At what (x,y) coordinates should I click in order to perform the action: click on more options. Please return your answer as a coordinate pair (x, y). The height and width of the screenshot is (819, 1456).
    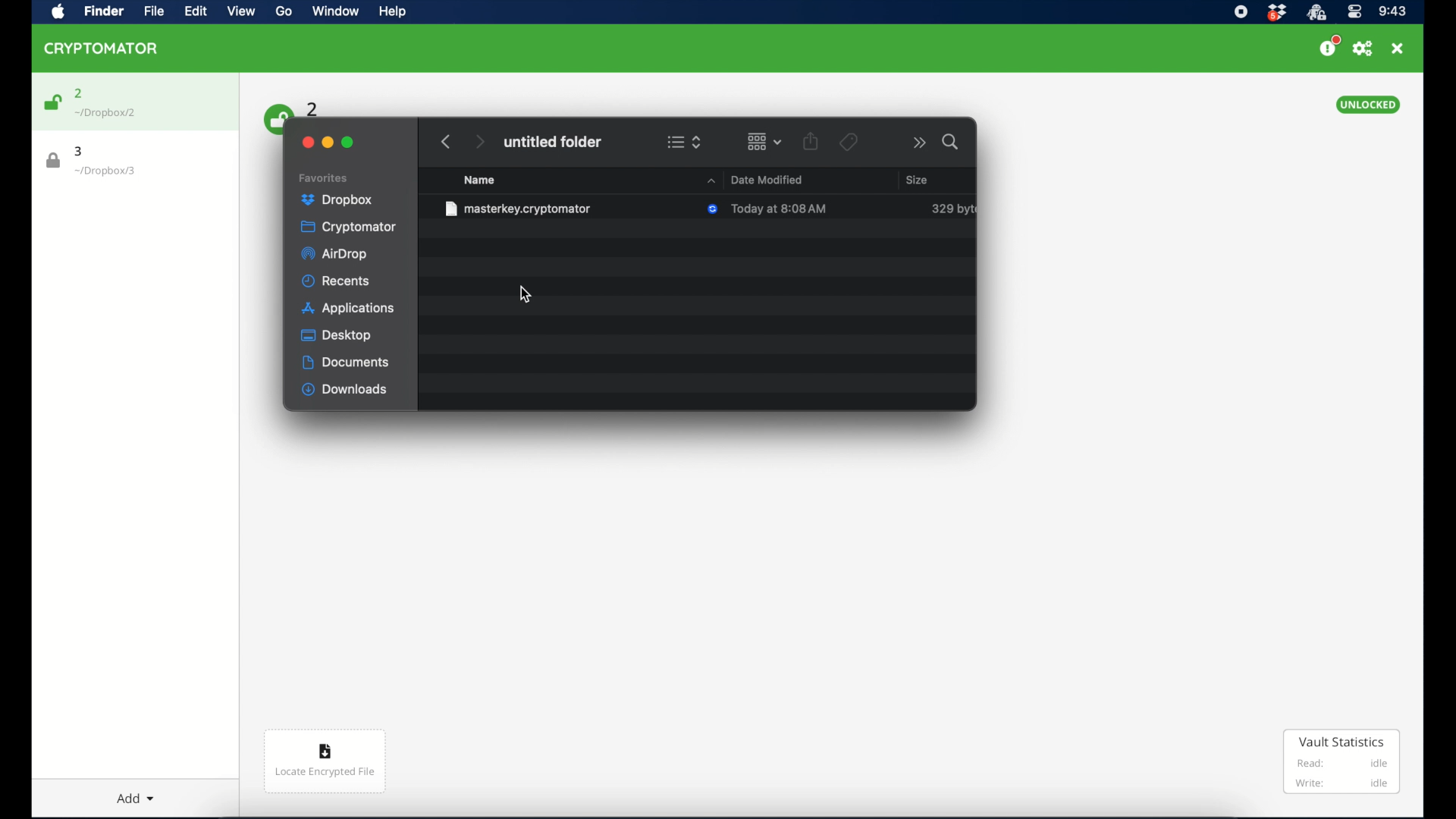
    Looking at the image, I should click on (920, 143).